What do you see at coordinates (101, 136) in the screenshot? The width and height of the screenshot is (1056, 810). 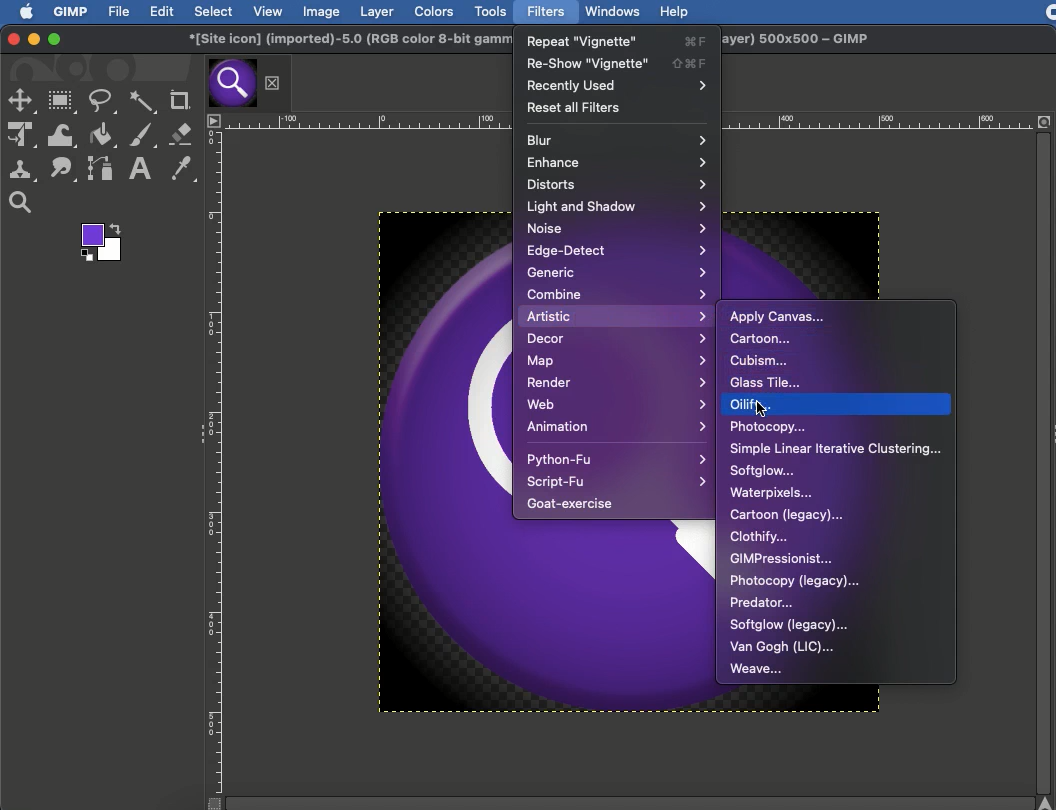 I see `Fill color` at bounding box center [101, 136].